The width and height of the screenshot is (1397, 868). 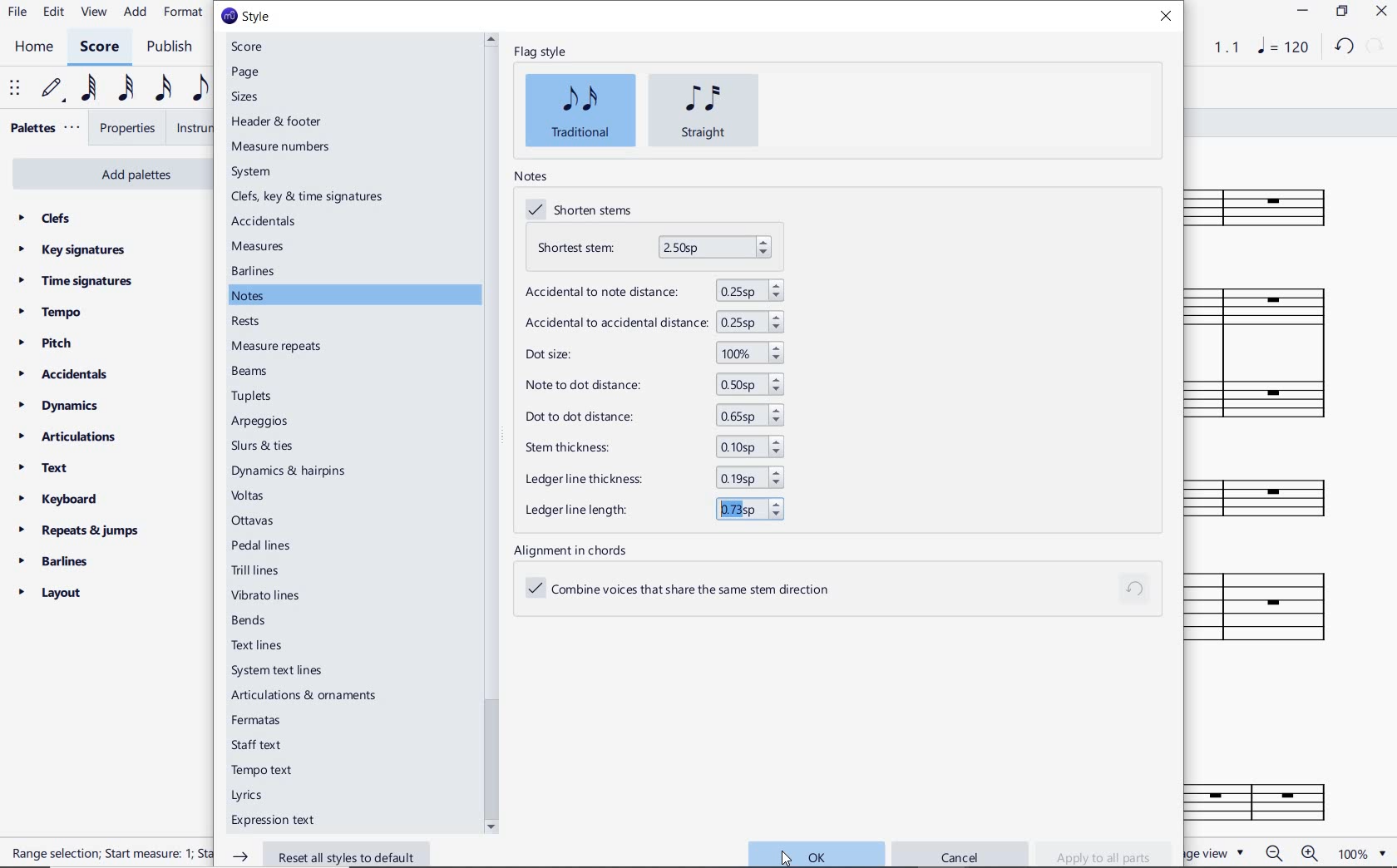 What do you see at coordinates (649, 509) in the screenshot?
I see `ledger line length increased` at bounding box center [649, 509].